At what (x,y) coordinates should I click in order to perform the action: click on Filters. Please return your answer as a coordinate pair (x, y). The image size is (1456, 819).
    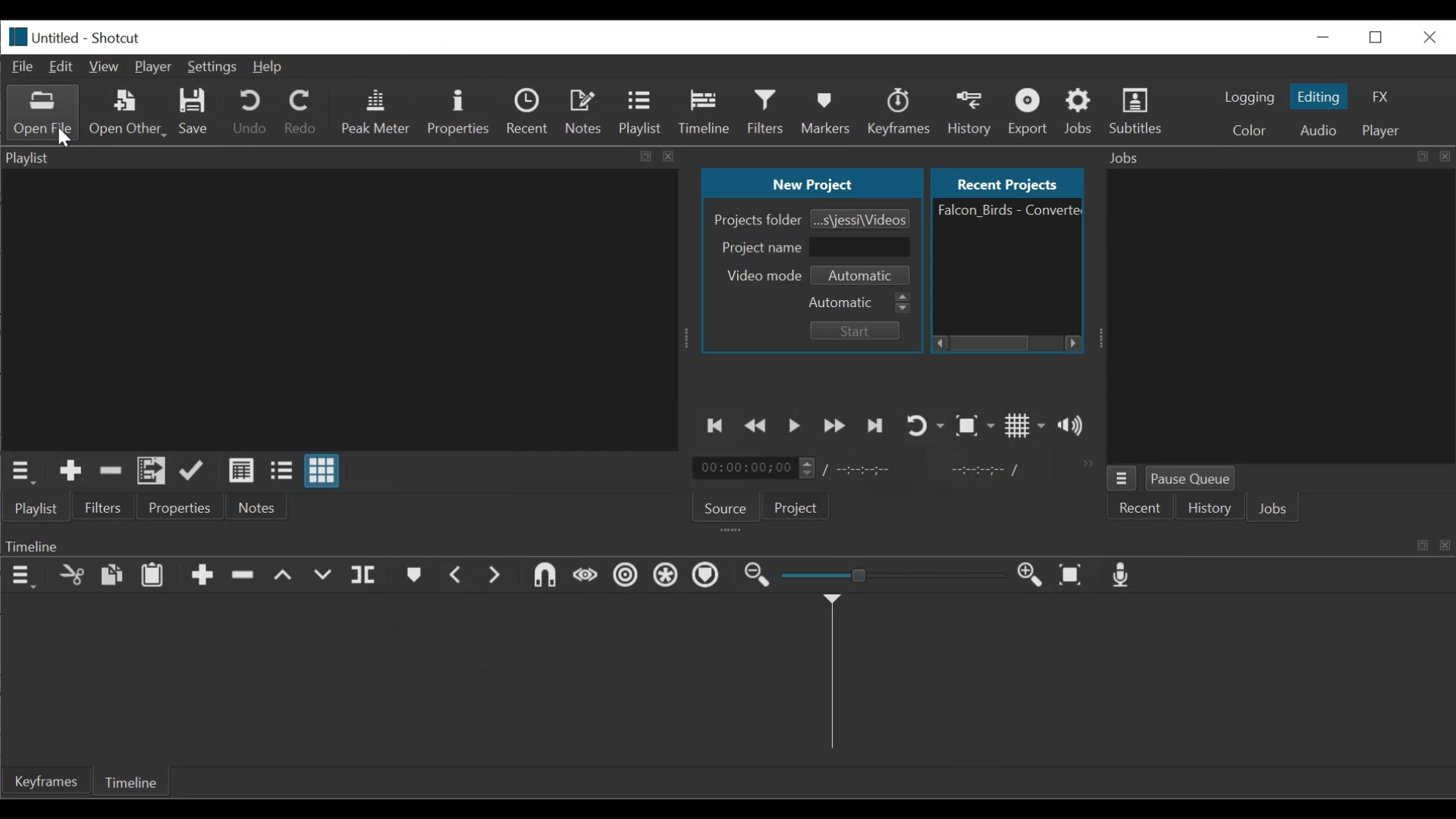
    Looking at the image, I should click on (102, 506).